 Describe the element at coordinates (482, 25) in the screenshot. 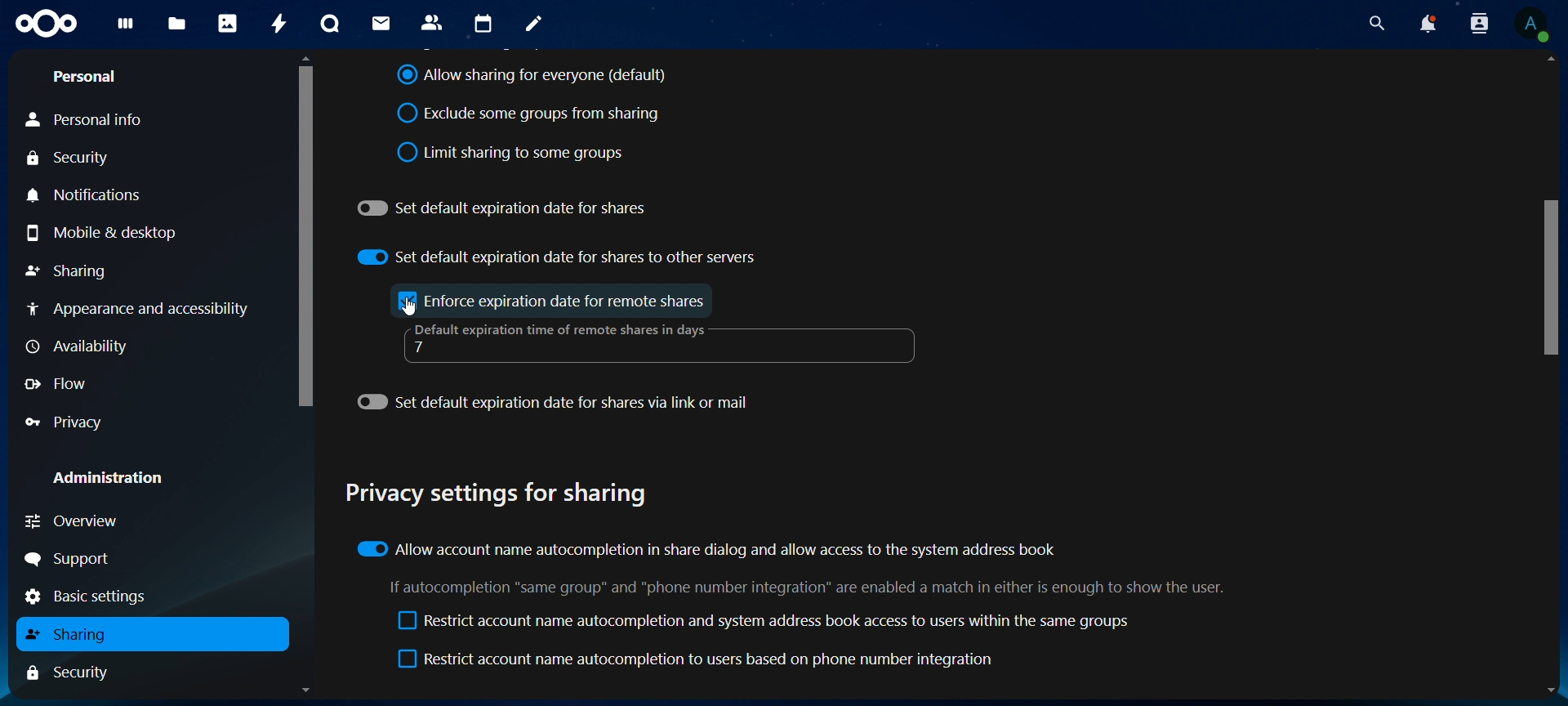

I see `calendar` at that location.